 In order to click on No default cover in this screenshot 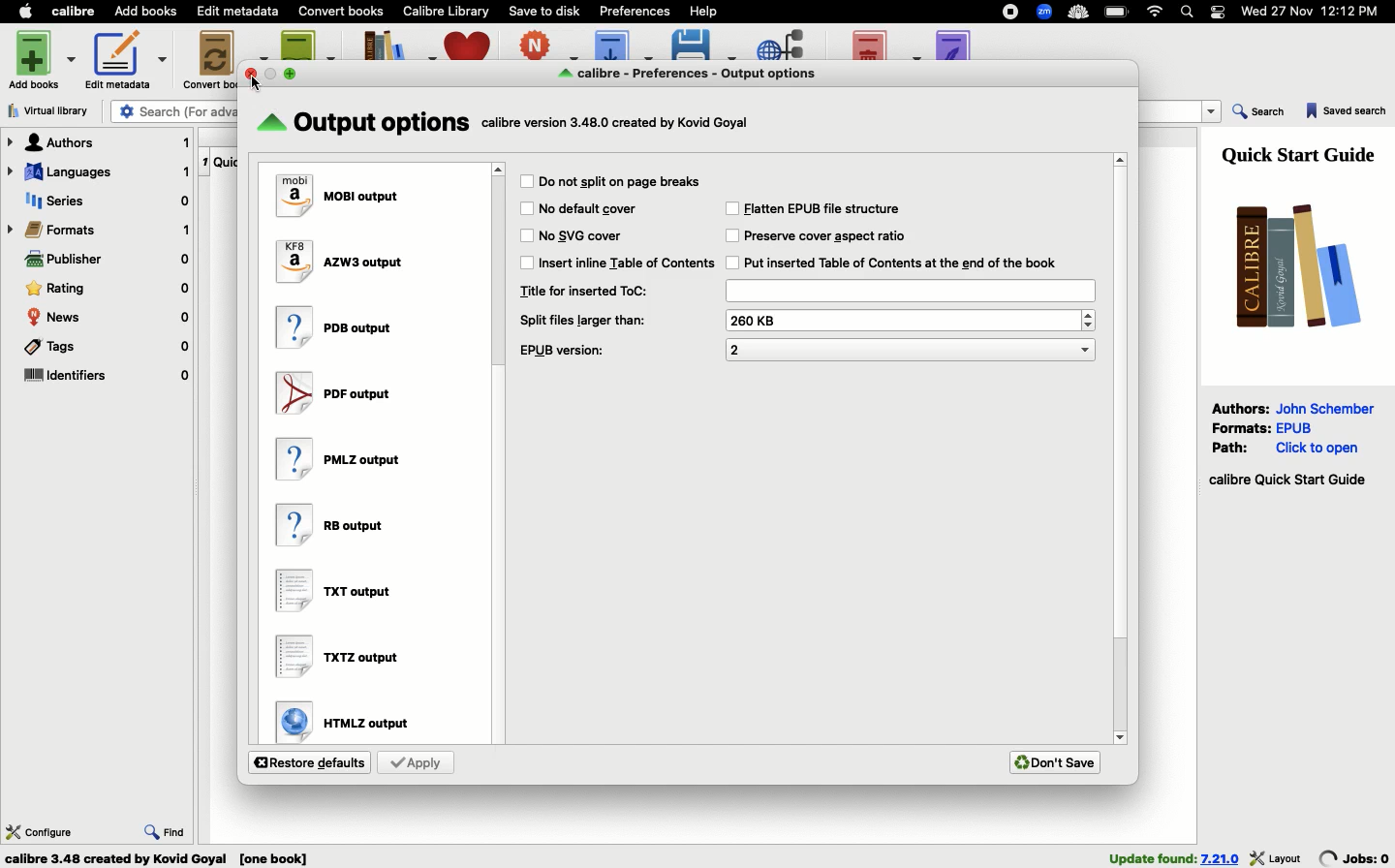, I will do `click(589, 208)`.